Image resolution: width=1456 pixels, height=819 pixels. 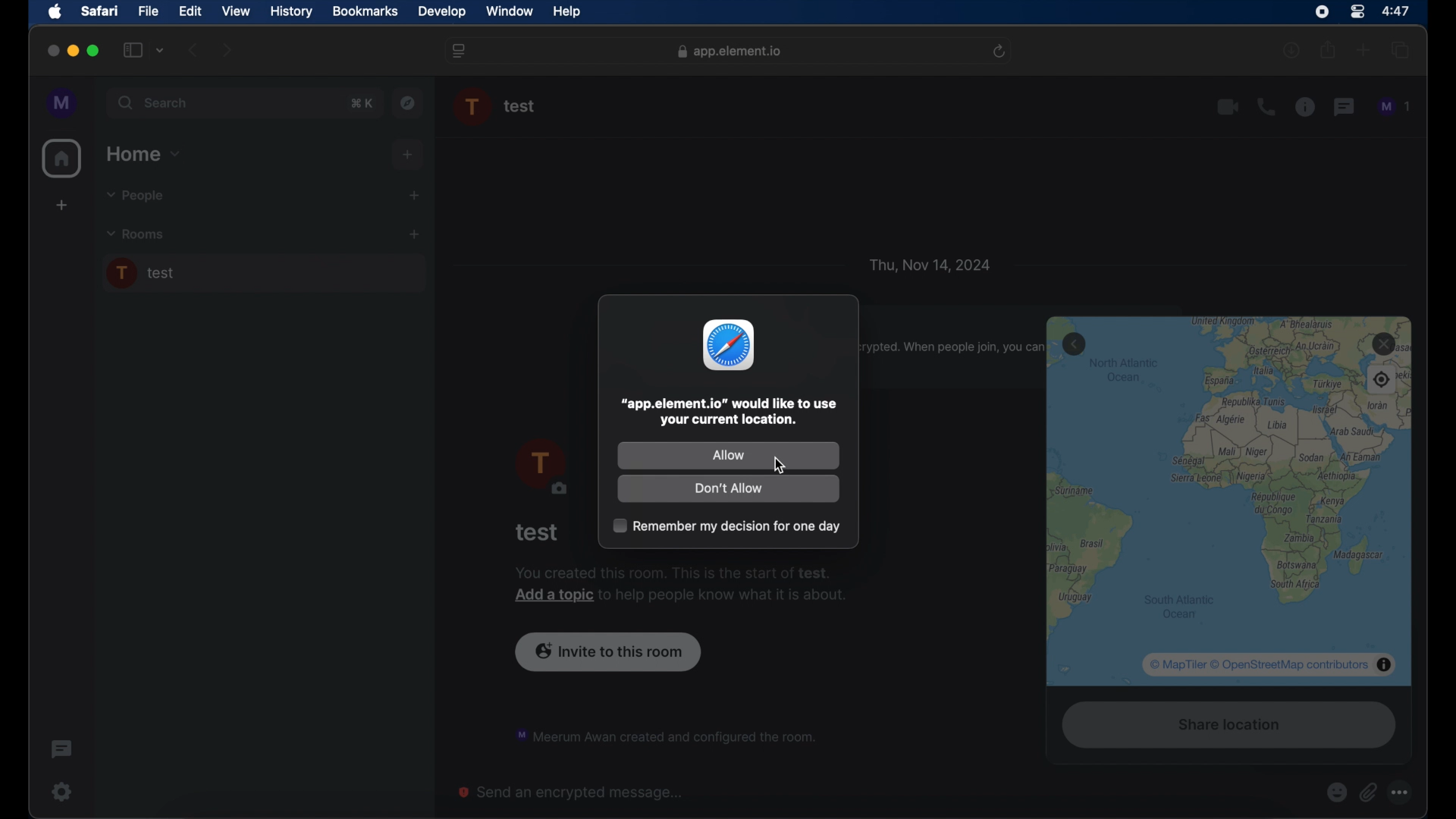 What do you see at coordinates (1404, 792) in the screenshot?
I see `Options` at bounding box center [1404, 792].